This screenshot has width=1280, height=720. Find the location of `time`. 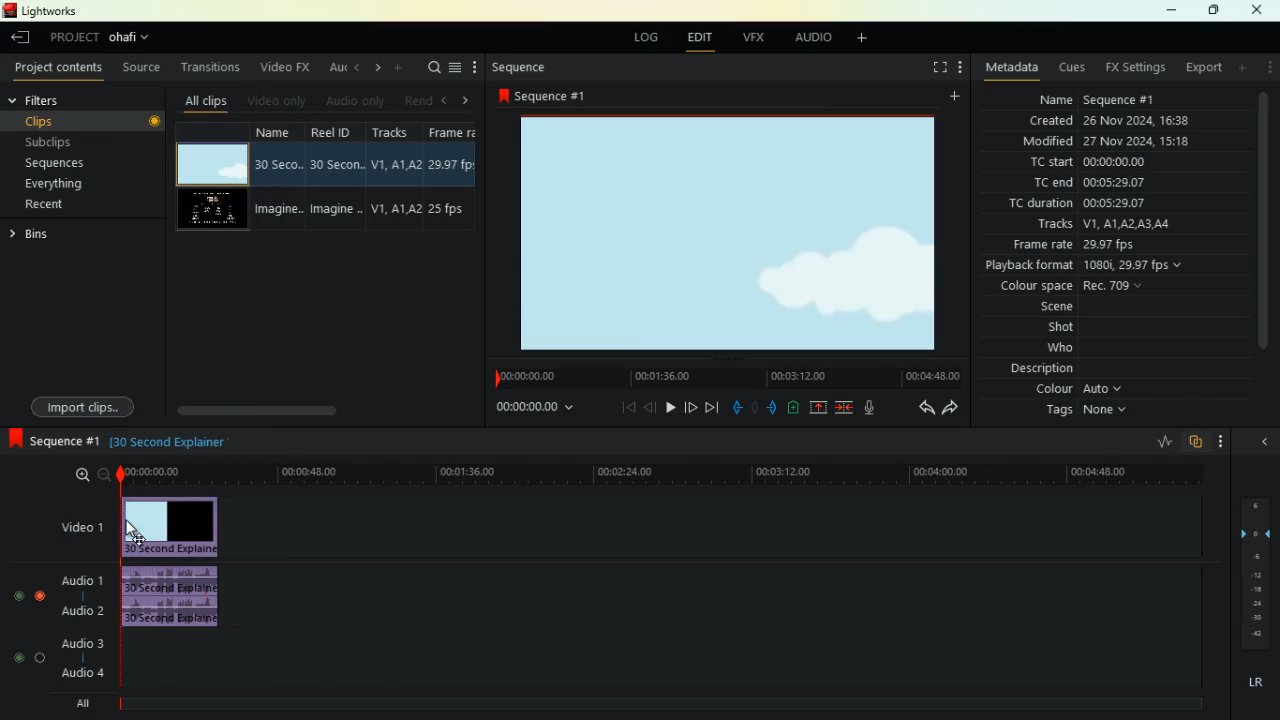

time is located at coordinates (527, 408).